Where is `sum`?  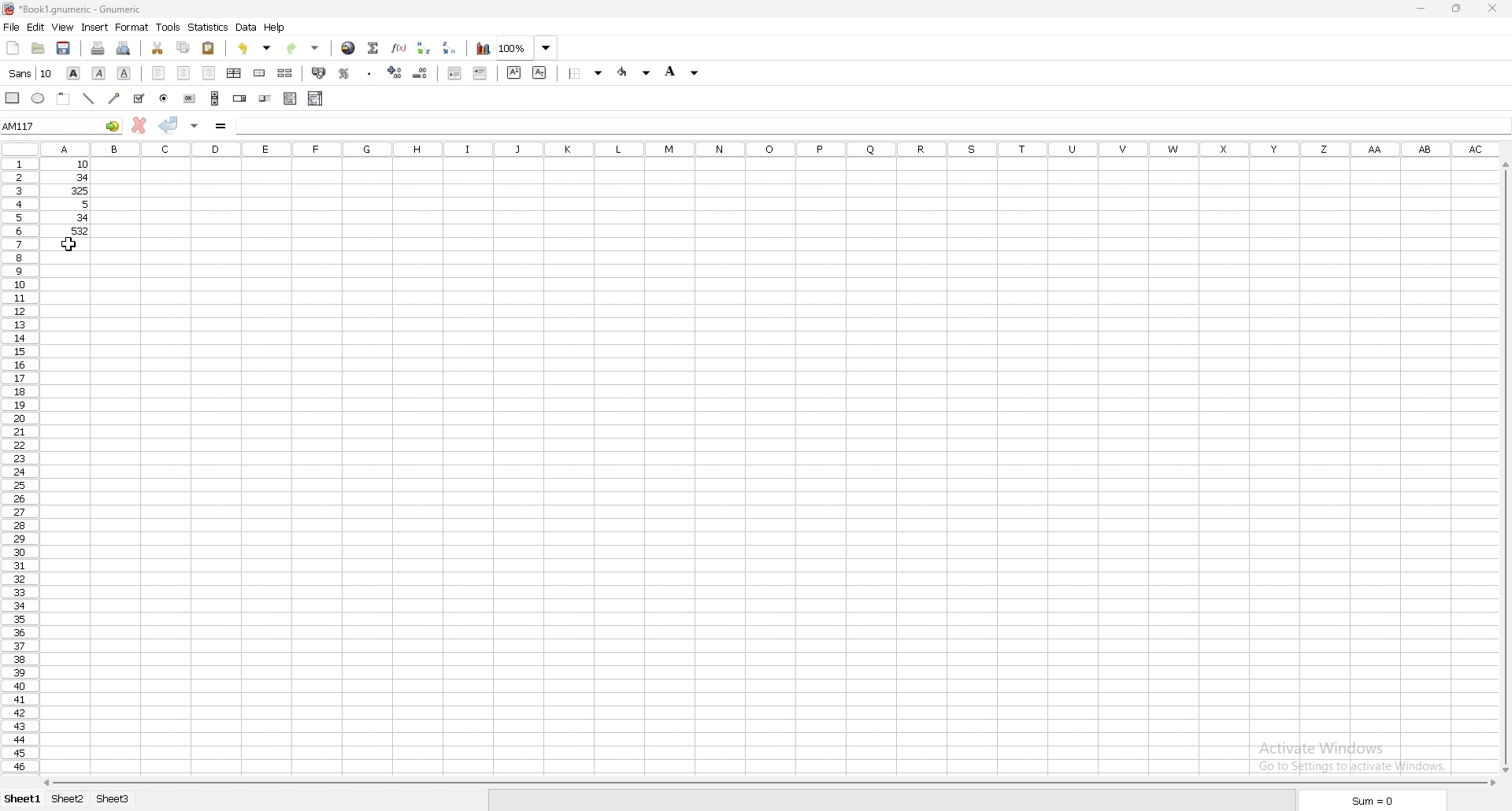 sum is located at coordinates (1373, 801).